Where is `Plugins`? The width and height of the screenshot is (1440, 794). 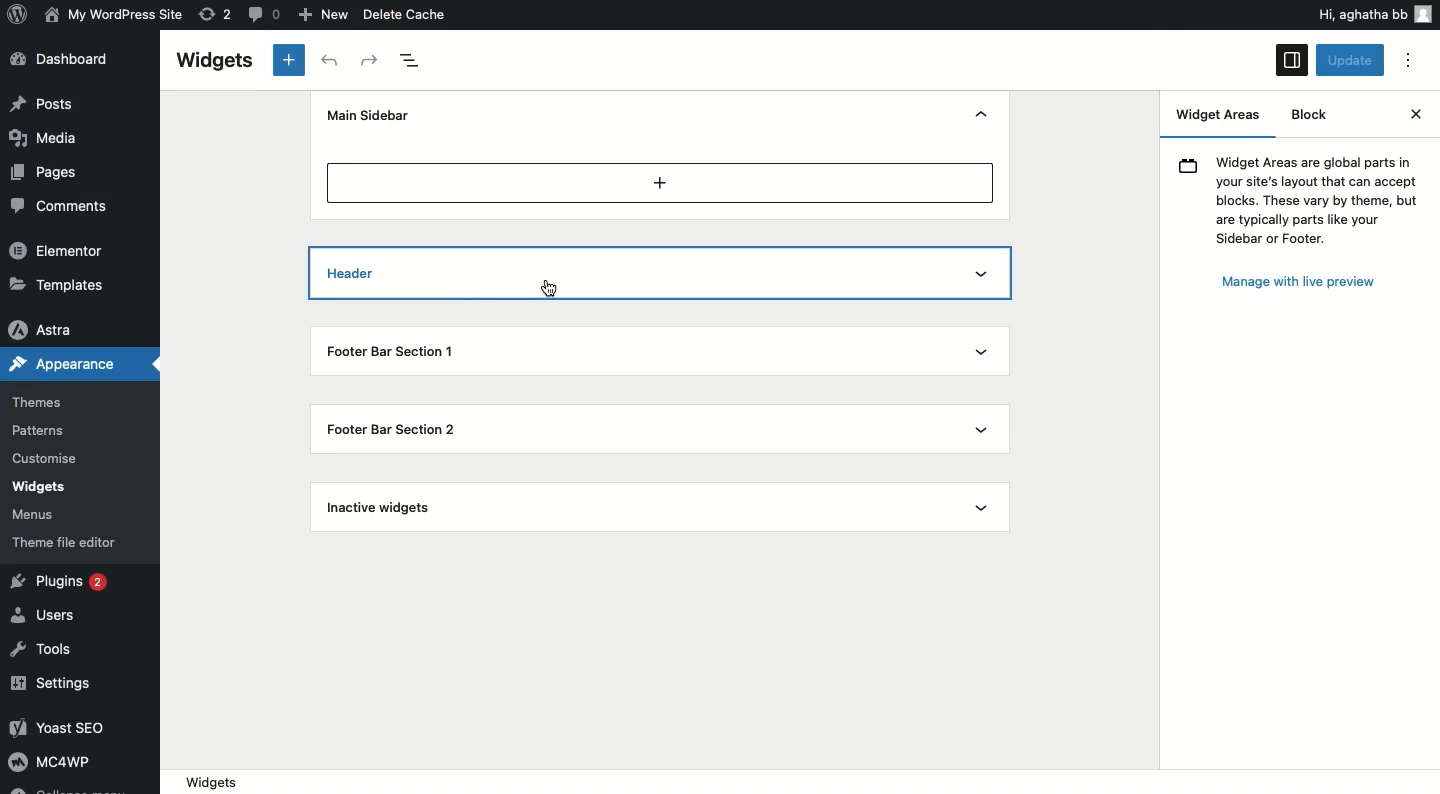 Plugins is located at coordinates (63, 583).